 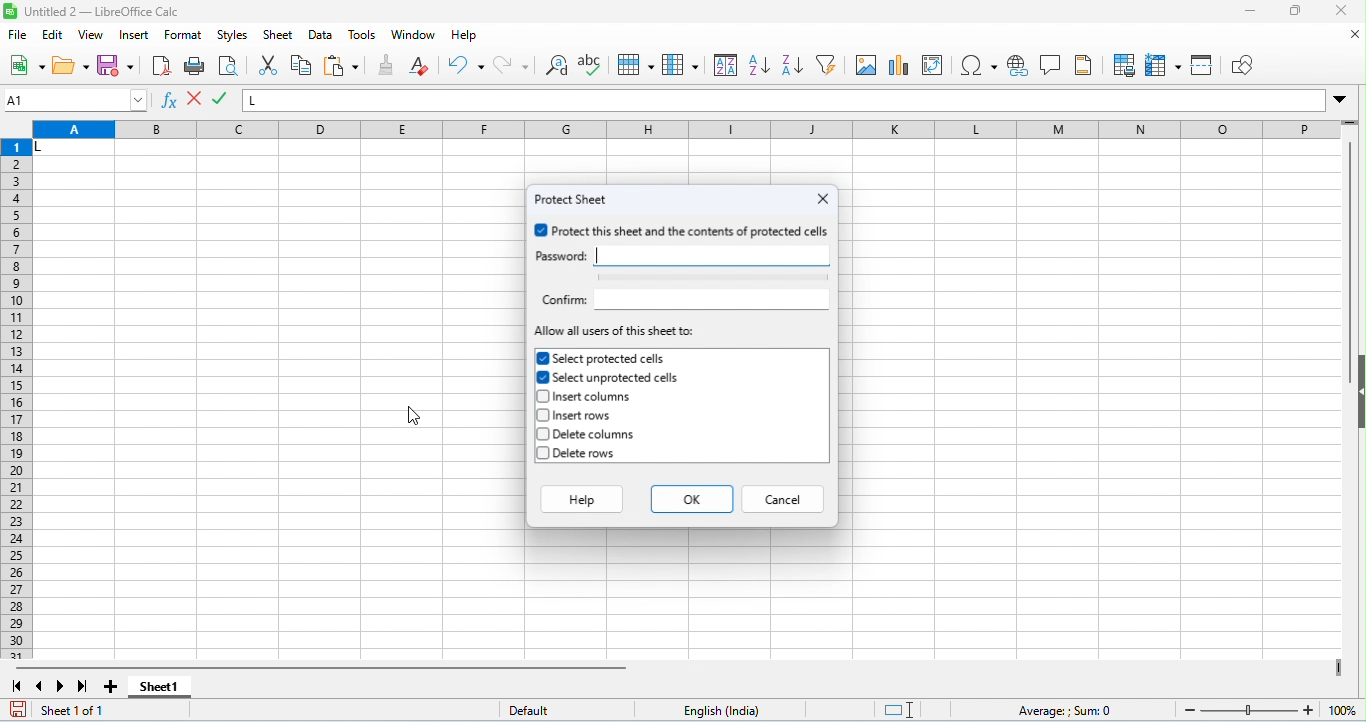 I want to click on column headings, so click(x=685, y=131).